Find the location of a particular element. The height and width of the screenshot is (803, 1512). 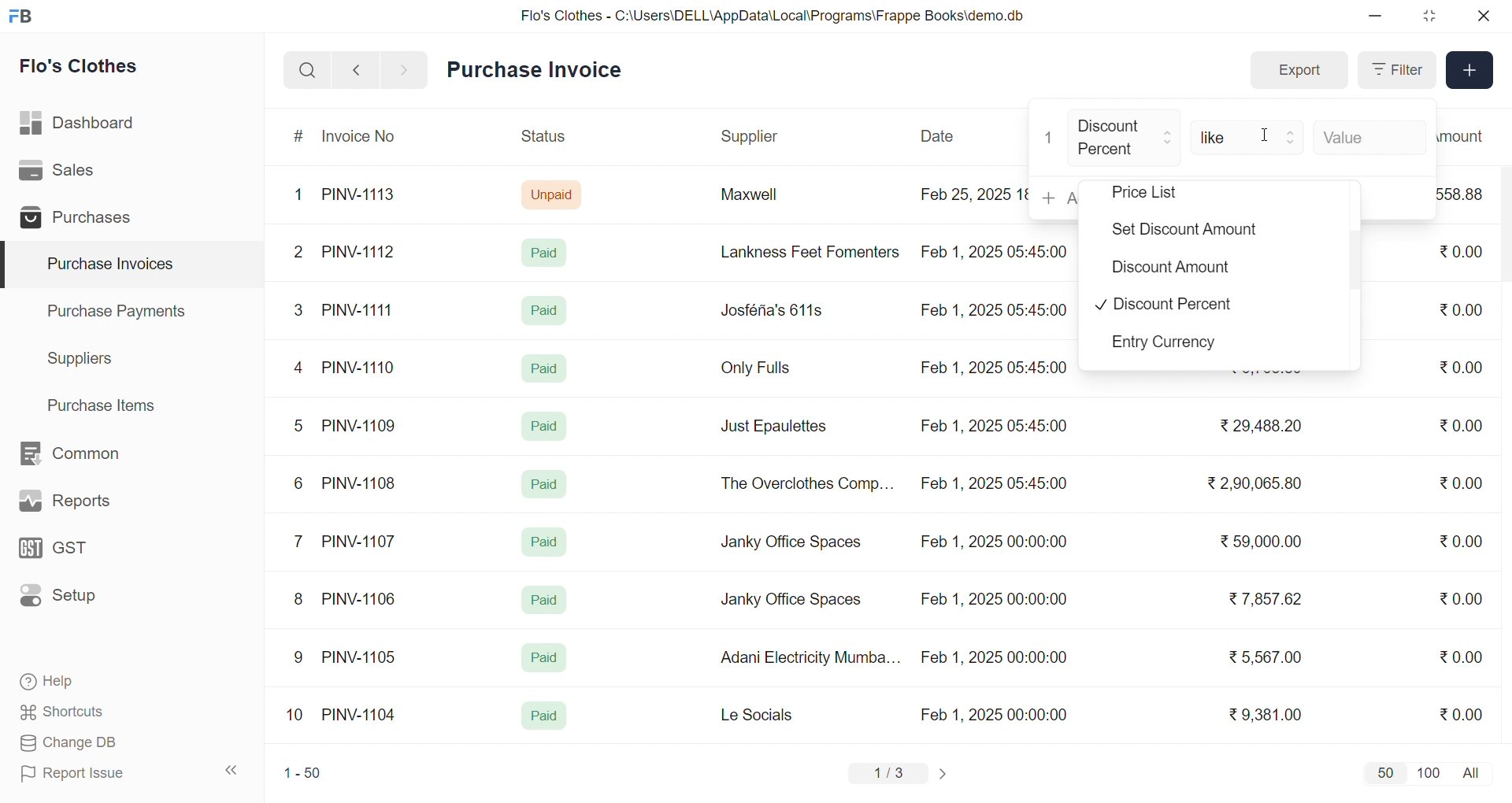

9 is located at coordinates (299, 657).